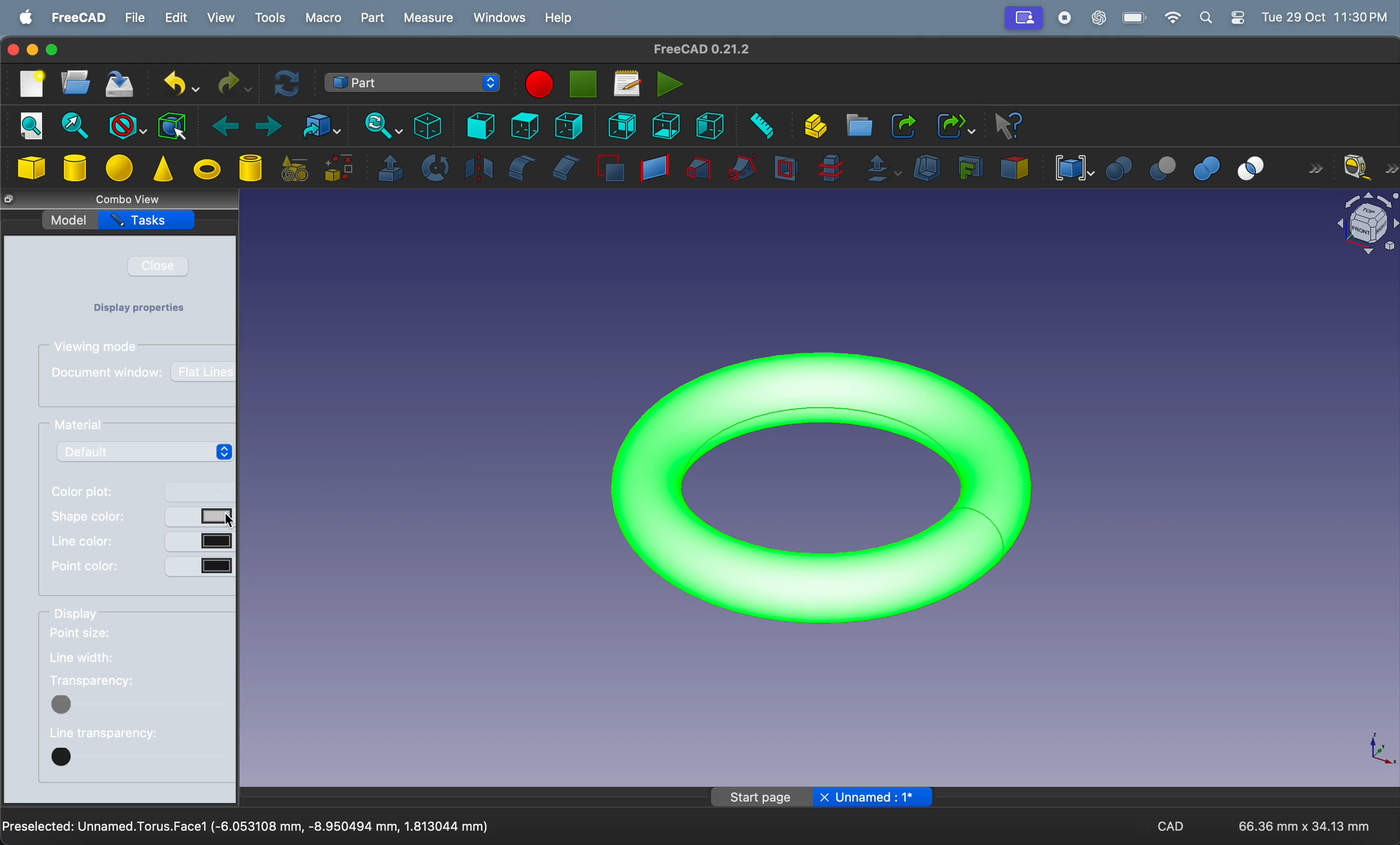  What do you see at coordinates (1209, 18) in the screenshot?
I see `apple widgets` at bounding box center [1209, 18].